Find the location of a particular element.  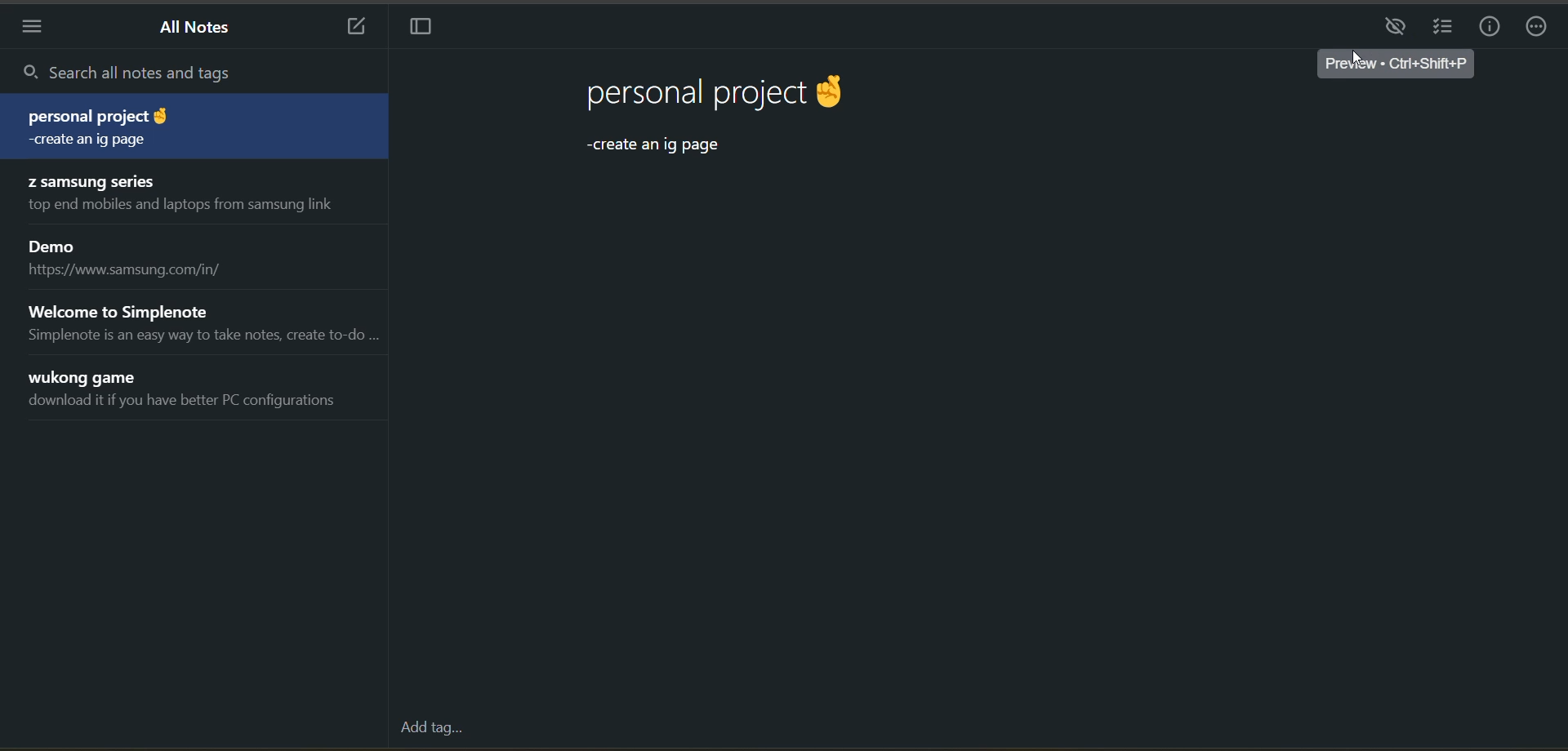

note view is located at coordinates (737, 122).